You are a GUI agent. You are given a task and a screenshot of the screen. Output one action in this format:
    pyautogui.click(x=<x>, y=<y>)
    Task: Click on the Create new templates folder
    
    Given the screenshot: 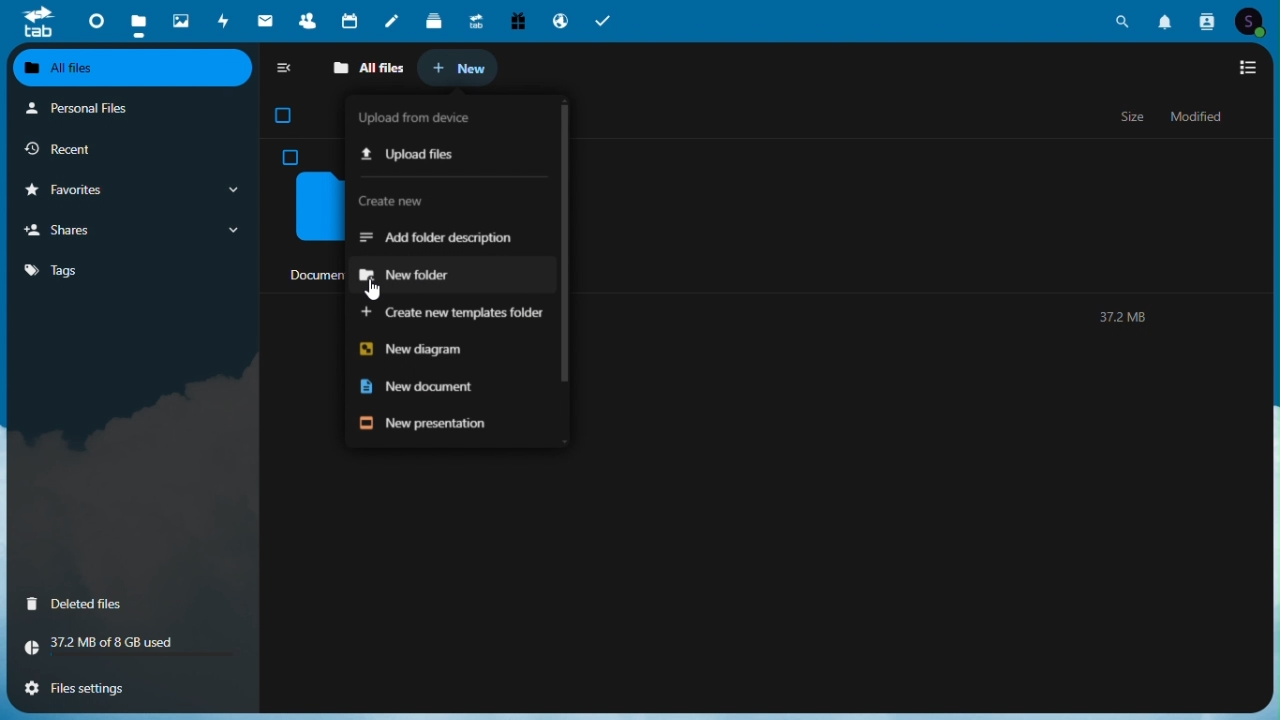 What is the action you would take?
    pyautogui.click(x=452, y=314)
    